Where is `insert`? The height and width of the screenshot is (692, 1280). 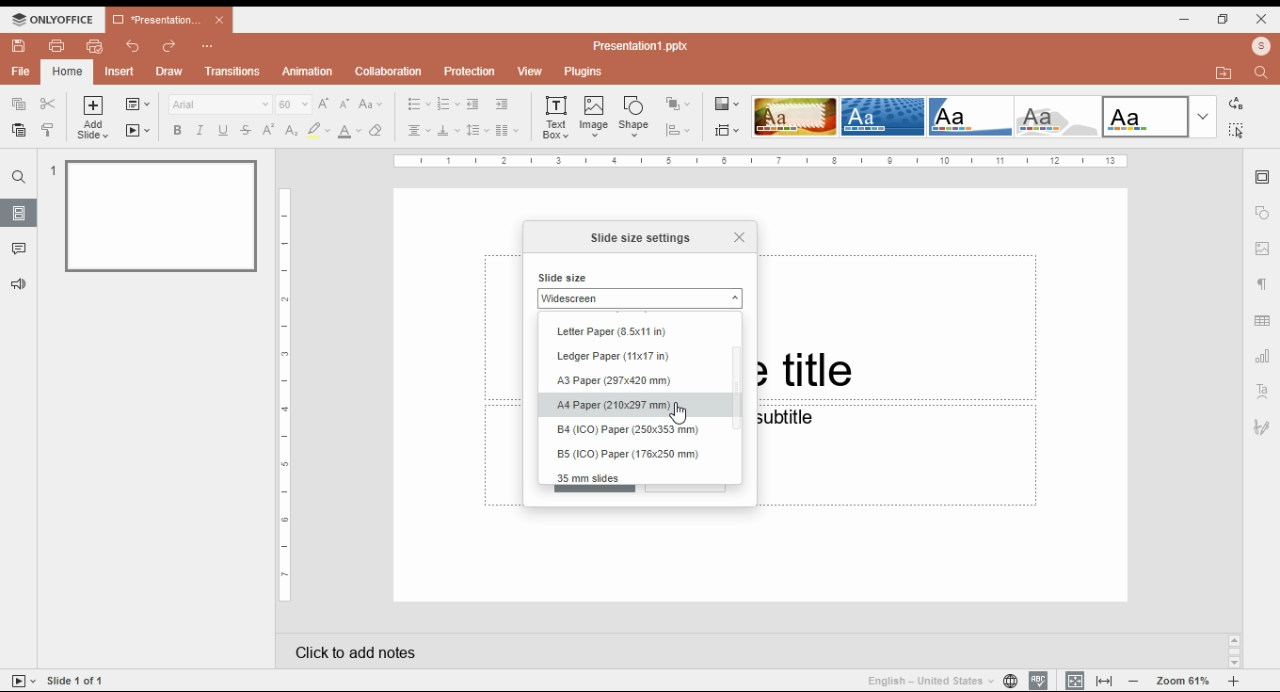 insert is located at coordinates (120, 72).